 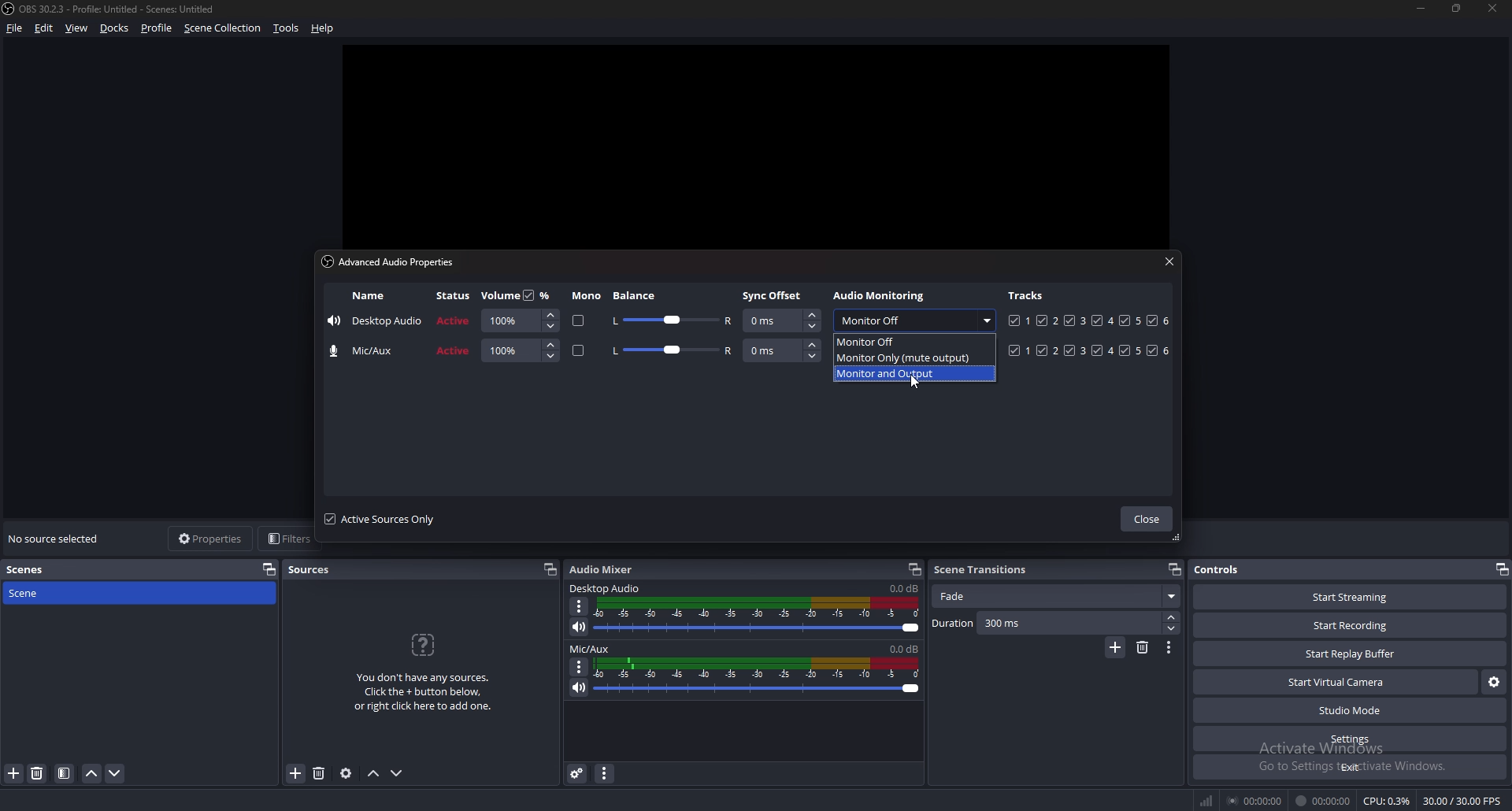 What do you see at coordinates (606, 589) in the screenshot?
I see `desktop audio` at bounding box center [606, 589].